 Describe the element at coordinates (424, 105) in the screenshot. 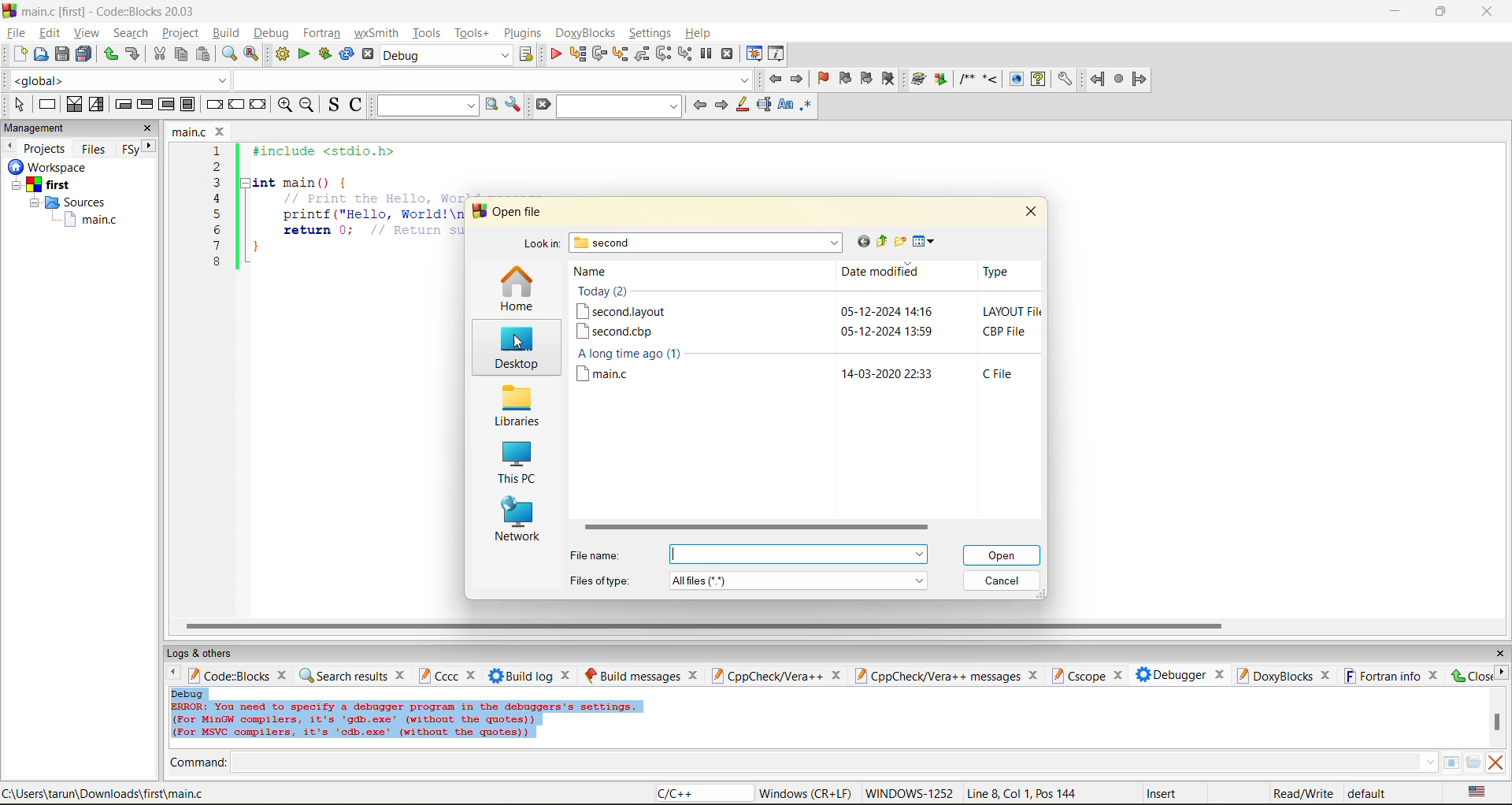

I see `text to search` at that location.